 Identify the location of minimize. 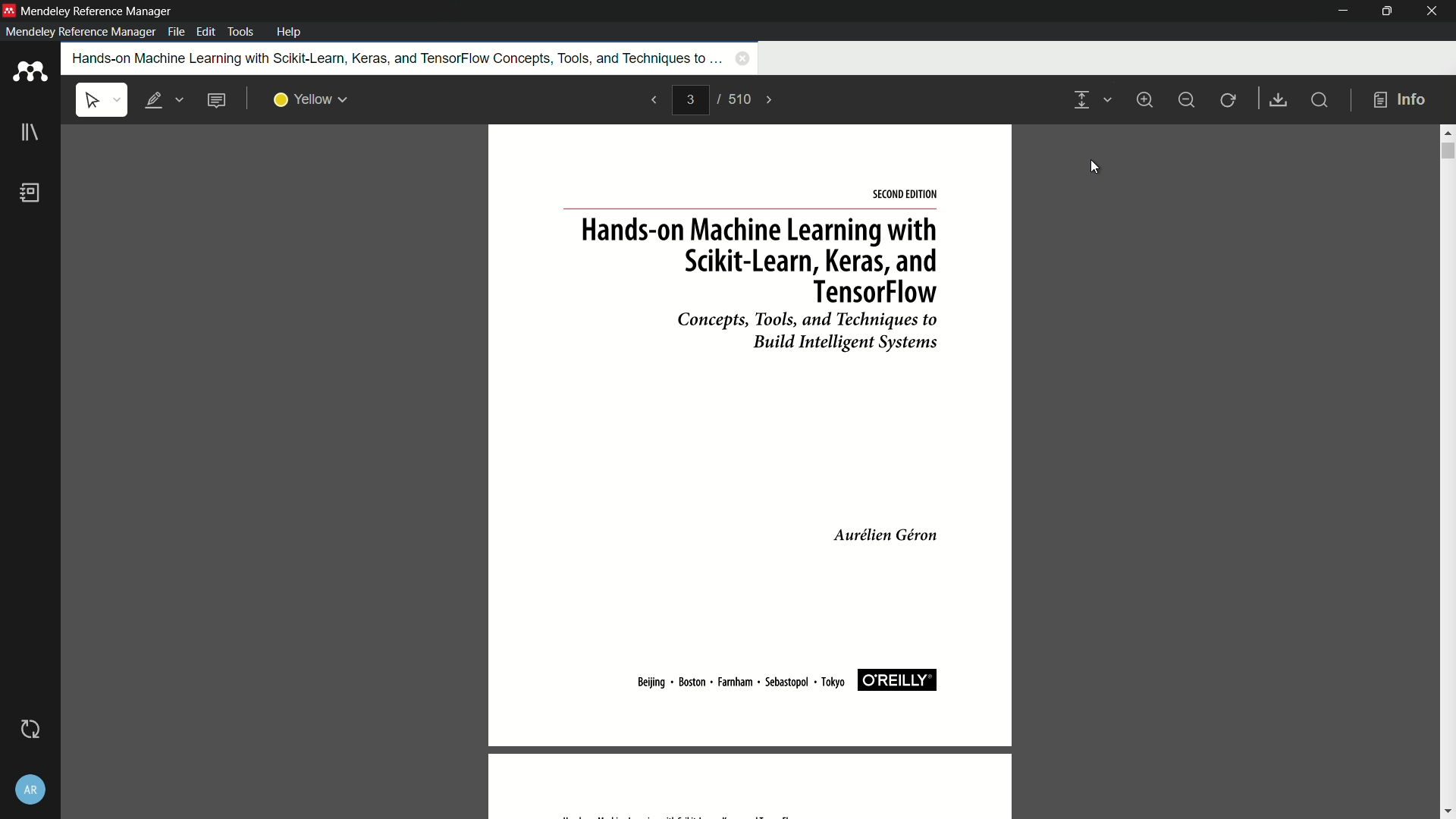
(1341, 11).